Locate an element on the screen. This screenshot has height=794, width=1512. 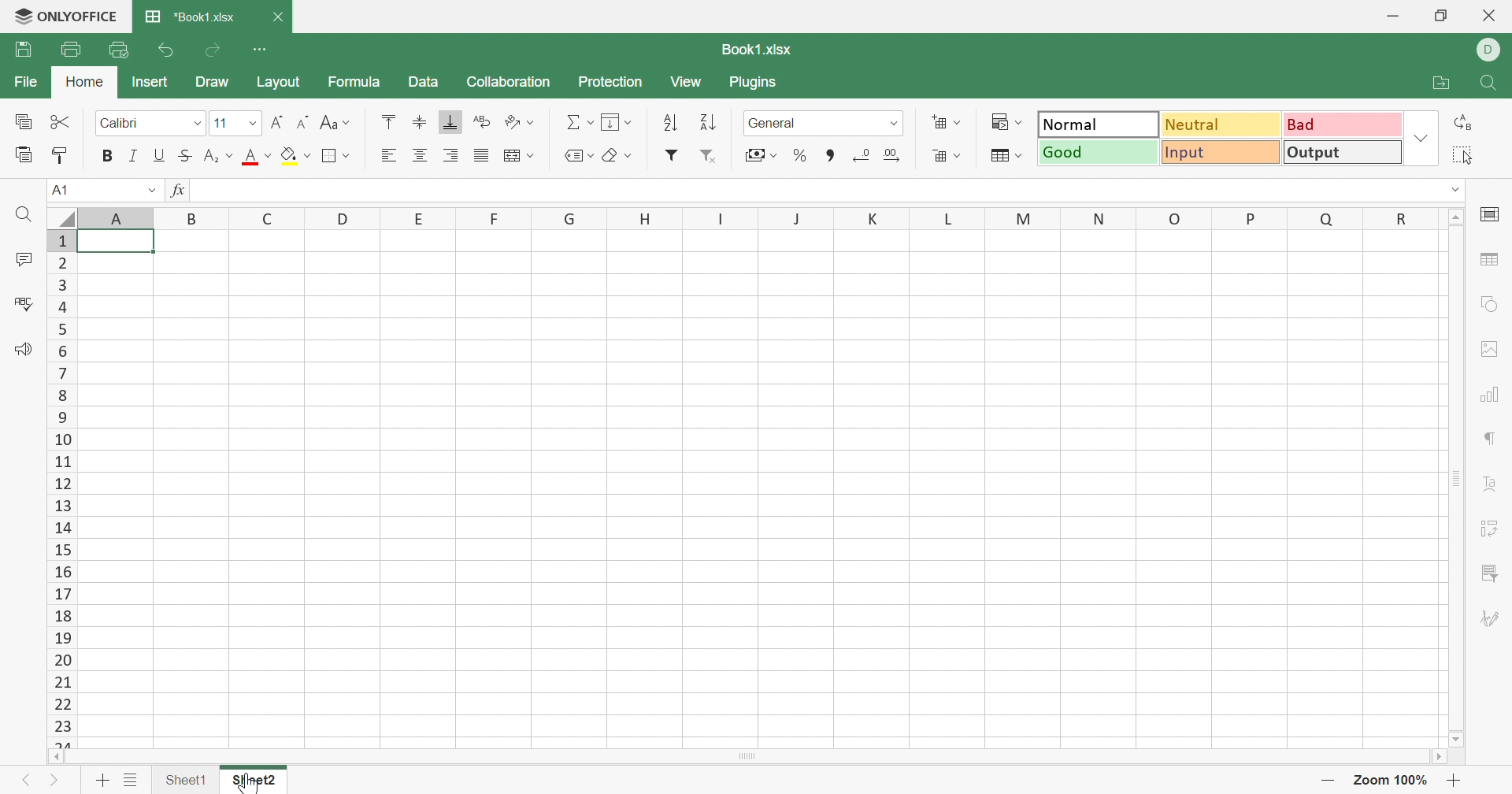
Ascending order is located at coordinates (667, 123).